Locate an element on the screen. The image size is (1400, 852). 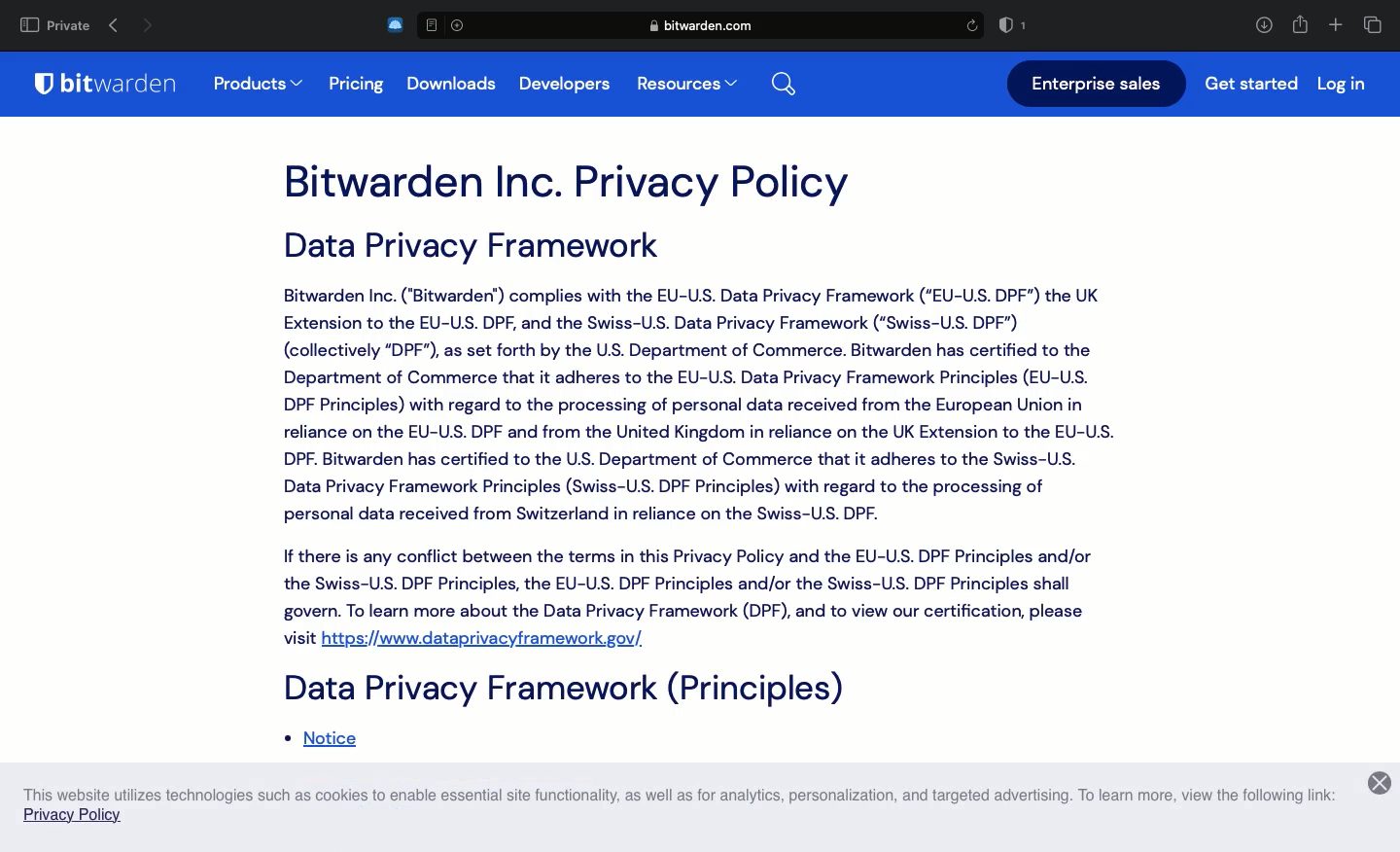
bitwarden is located at coordinates (103, 85).